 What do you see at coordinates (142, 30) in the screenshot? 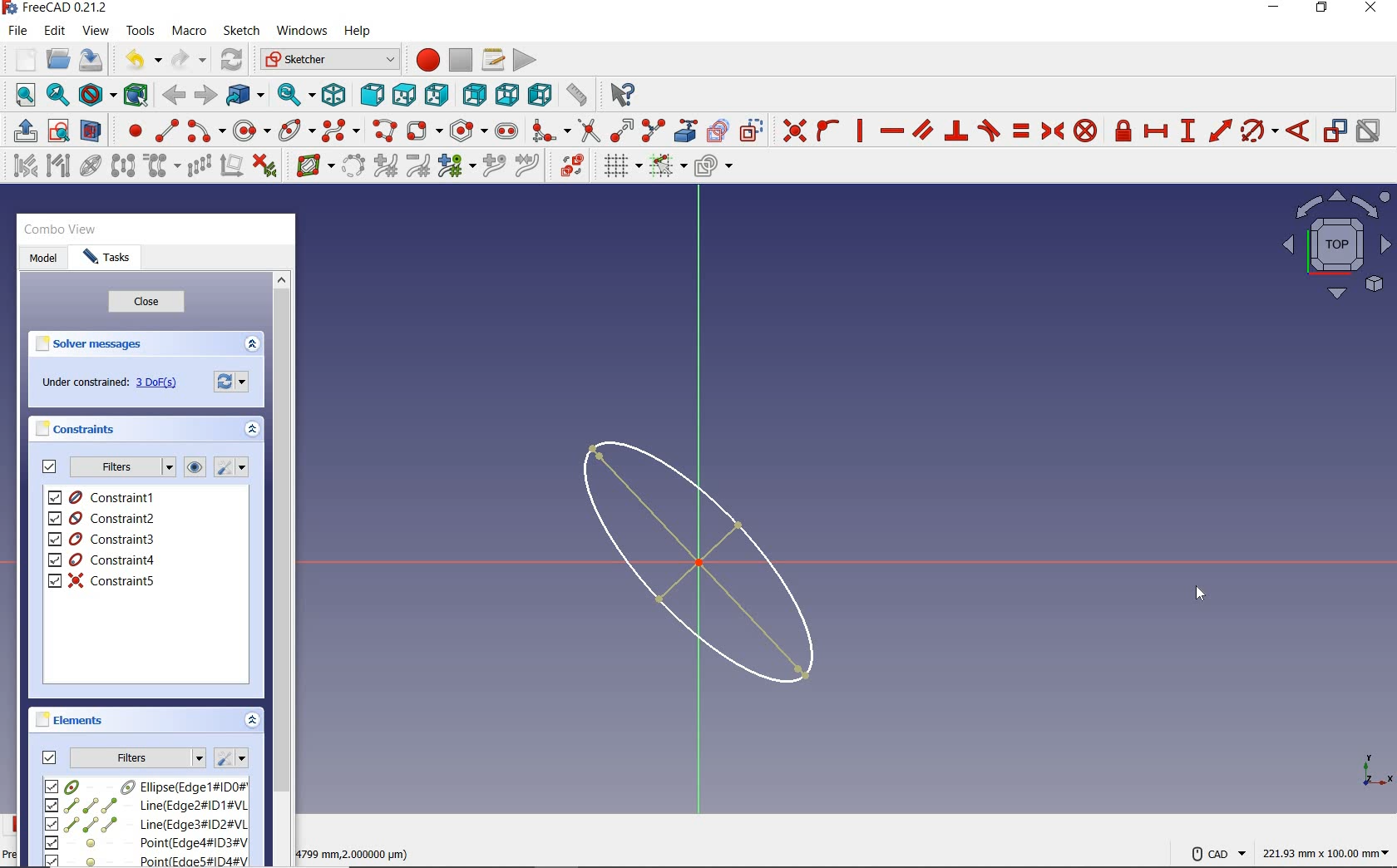
I see `tools` at bounding box center [142, 30].